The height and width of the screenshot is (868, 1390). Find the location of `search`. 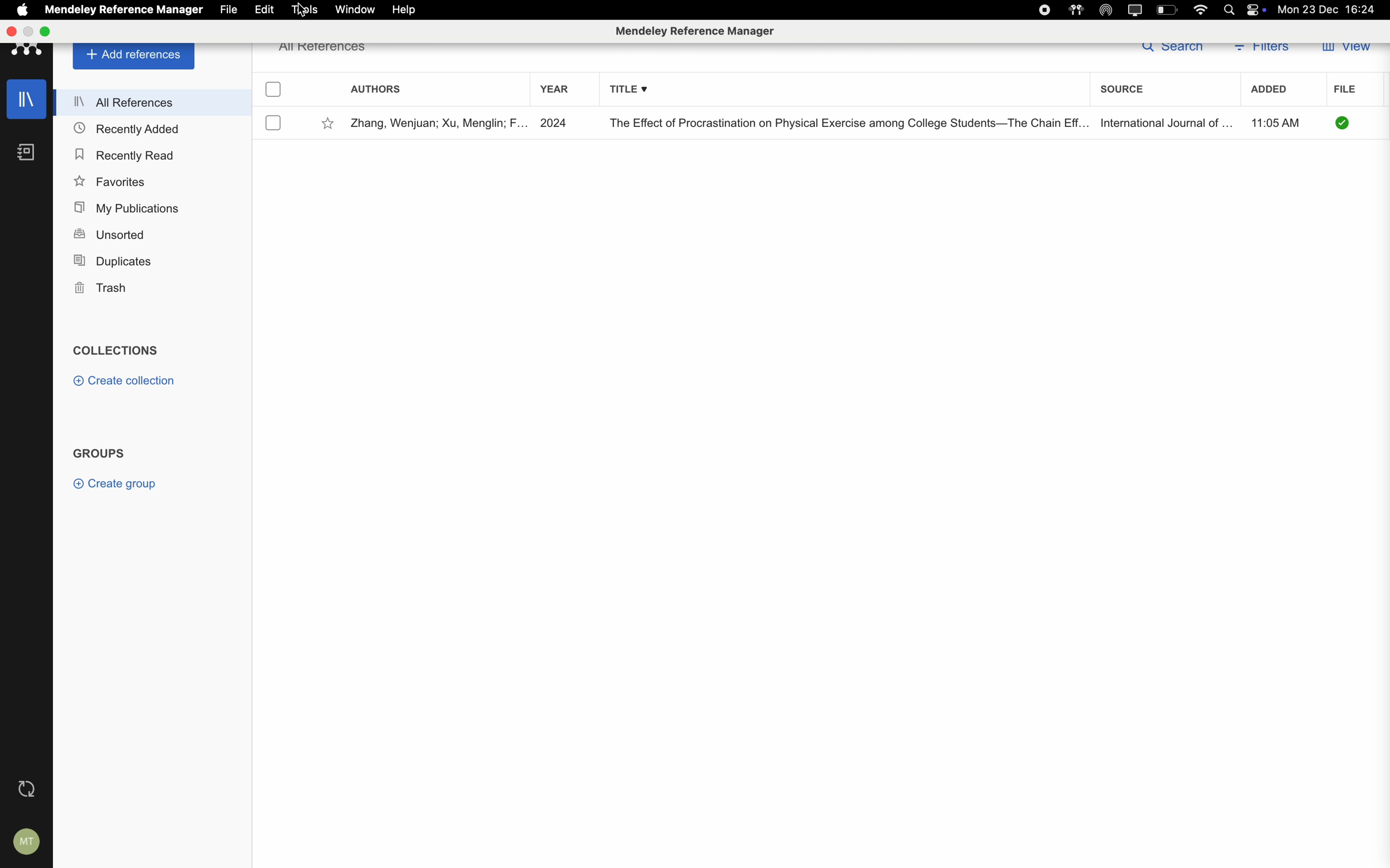

search is located at coordinates (1171, 51).